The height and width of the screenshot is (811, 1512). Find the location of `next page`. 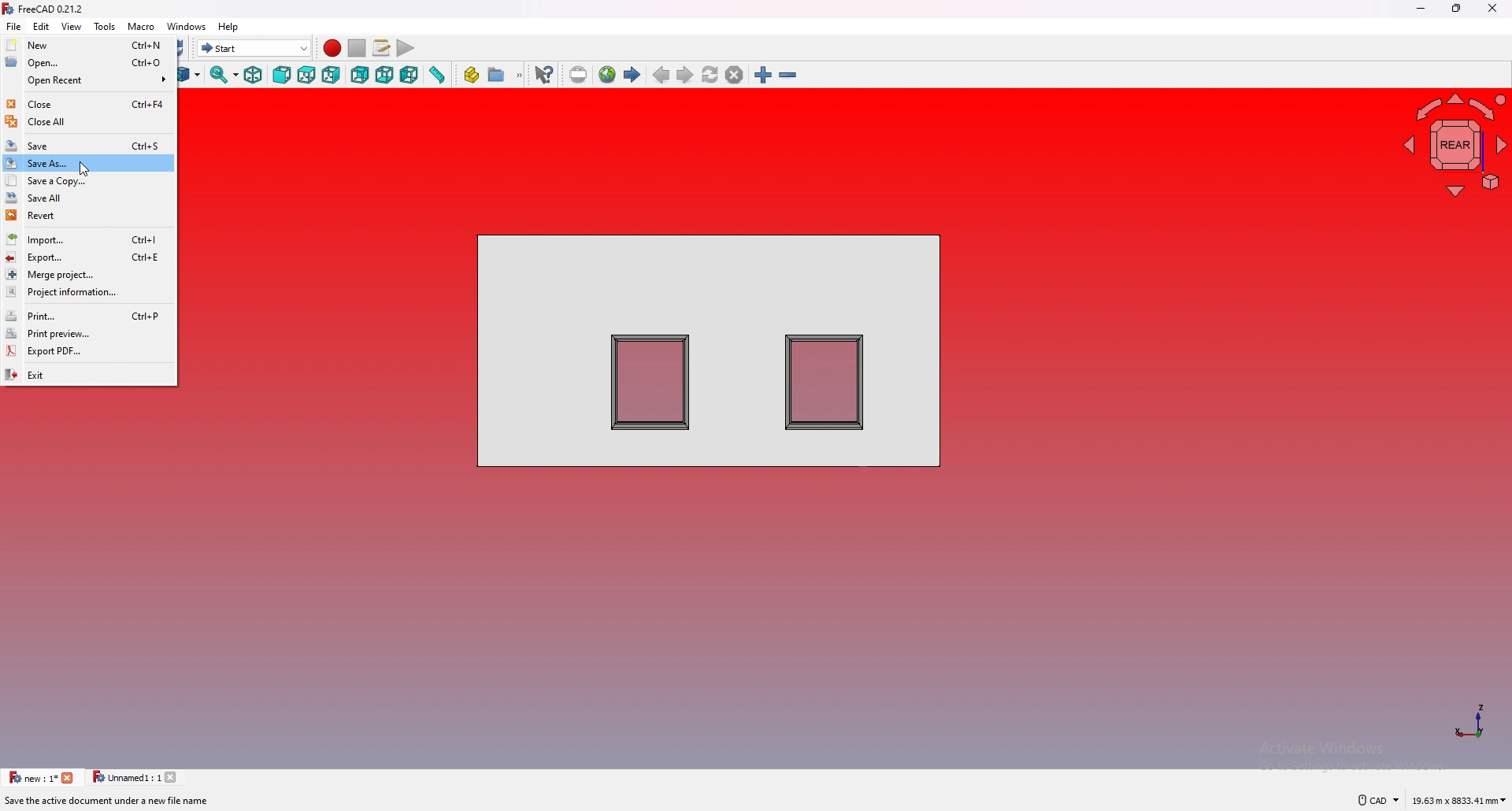

next page is located at coordinates (685, 75).